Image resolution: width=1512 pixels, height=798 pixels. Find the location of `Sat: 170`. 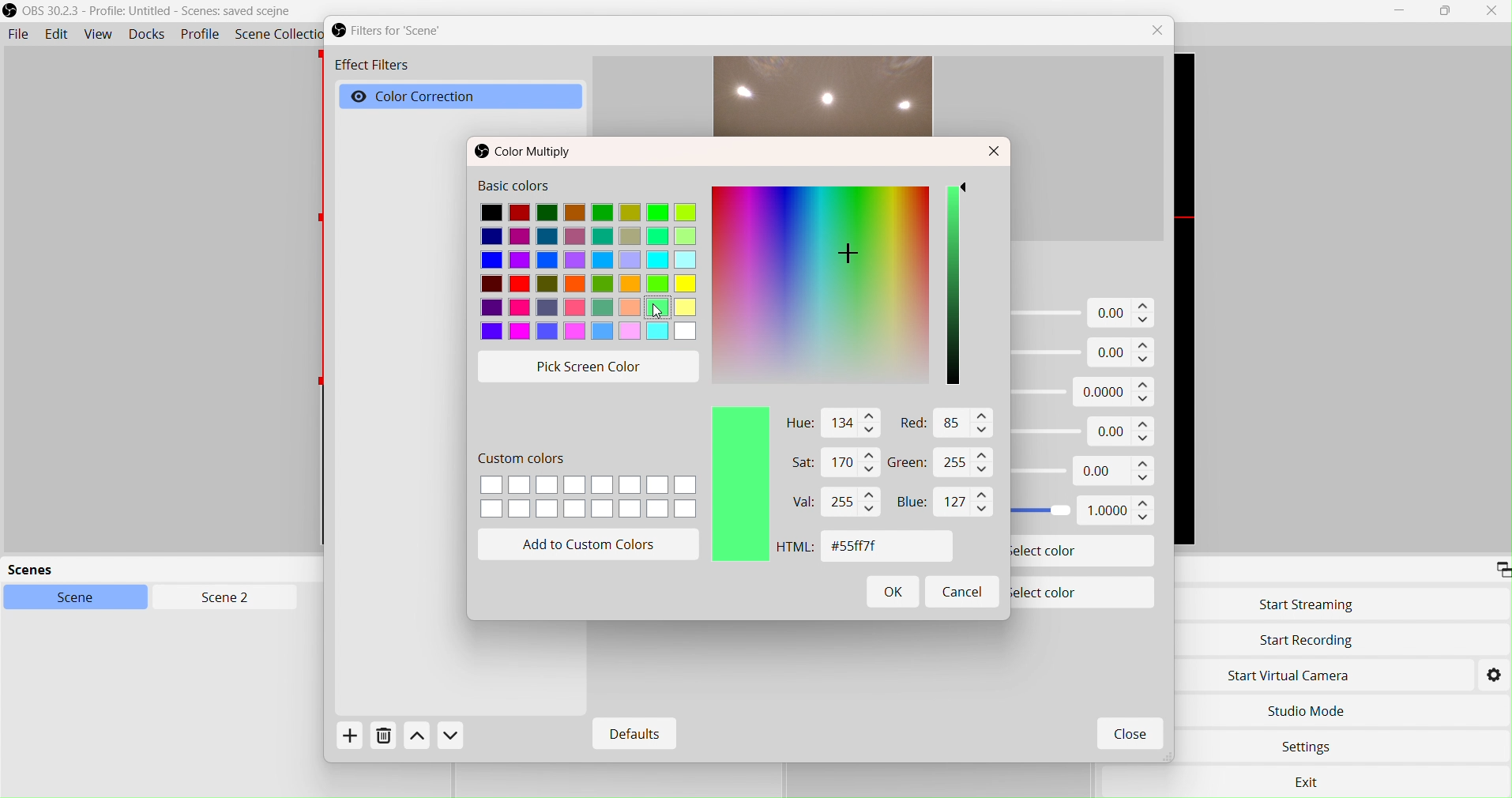

Sat: 170 is located at coordinates (824, 463).